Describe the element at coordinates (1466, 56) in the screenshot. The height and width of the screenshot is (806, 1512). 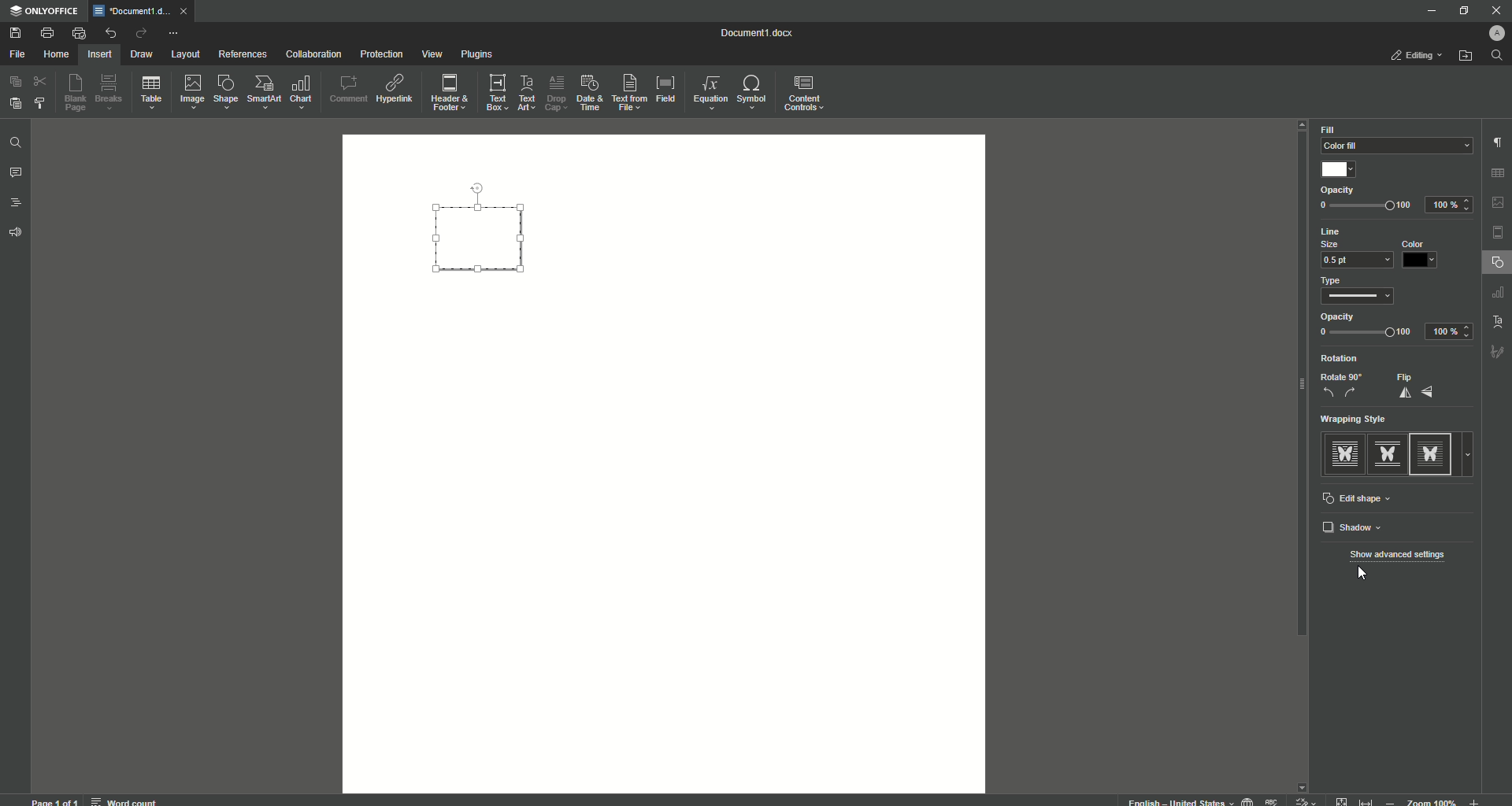
I see `Open From File` at that location.